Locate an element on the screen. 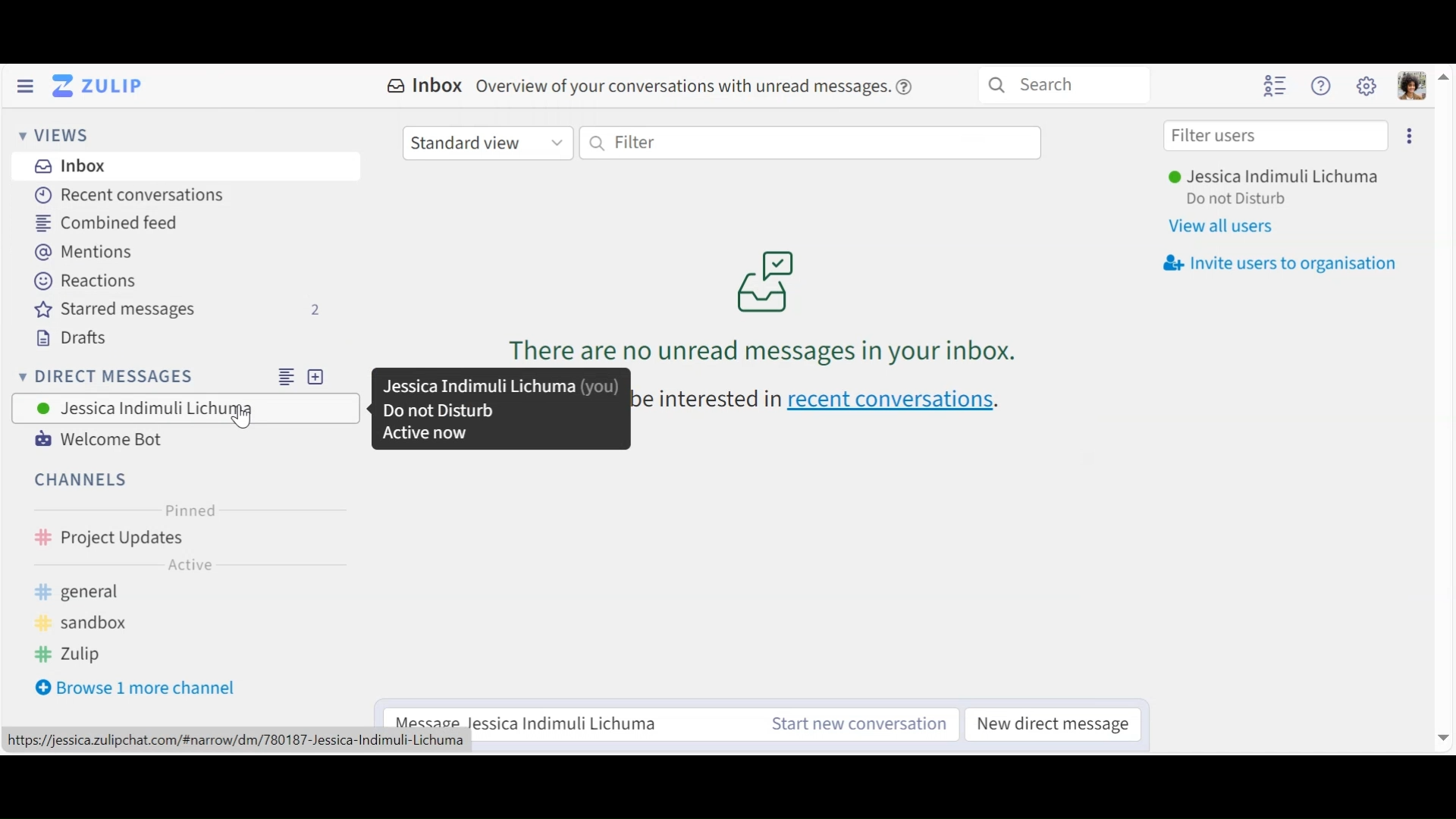 The height and width of the screenshot is (819, 1456). general is located at coordinates (138, 593).